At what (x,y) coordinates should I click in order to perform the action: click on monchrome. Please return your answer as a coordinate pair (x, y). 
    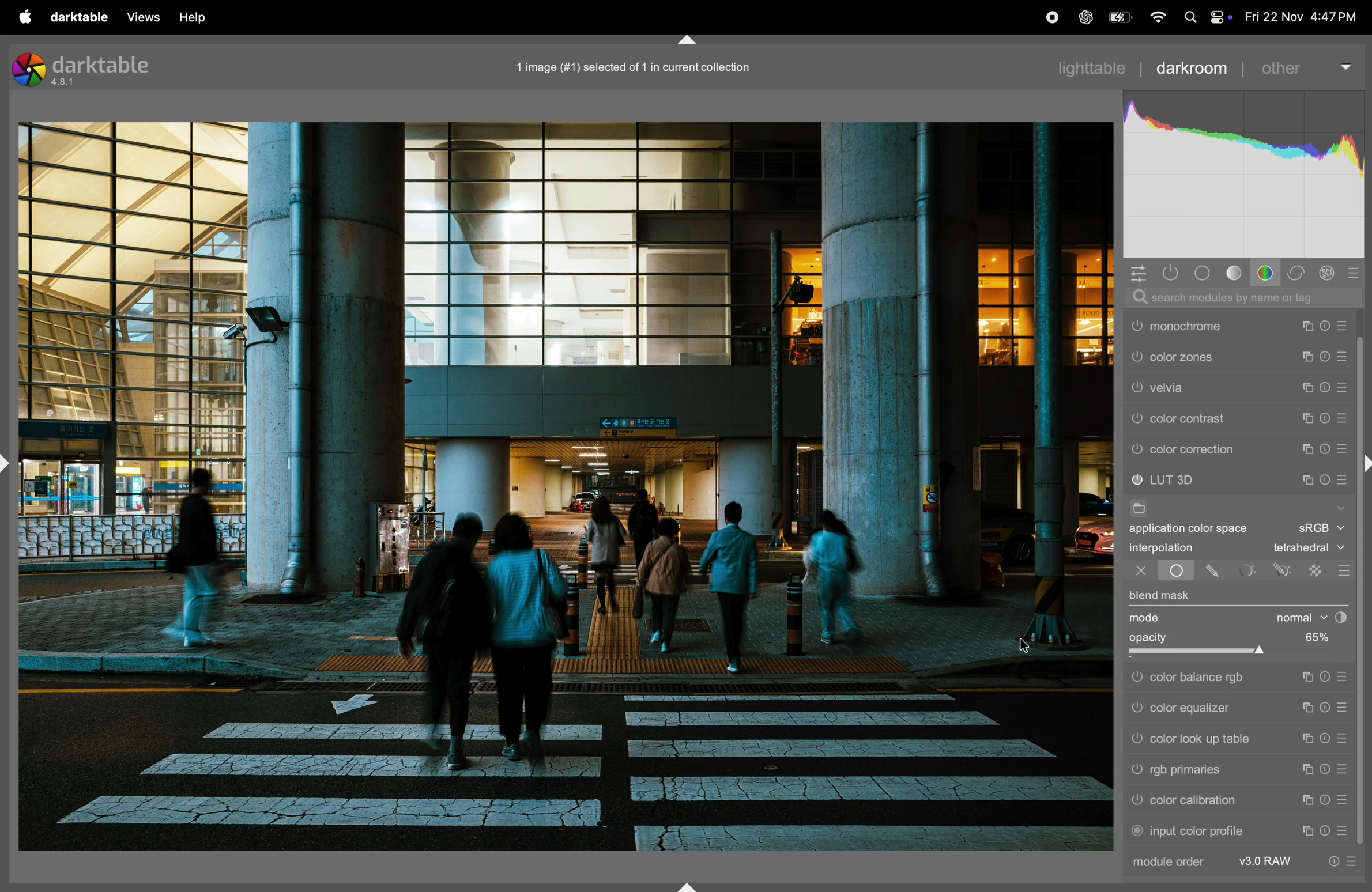
    Looking at the image, I should click on (1217, 356).